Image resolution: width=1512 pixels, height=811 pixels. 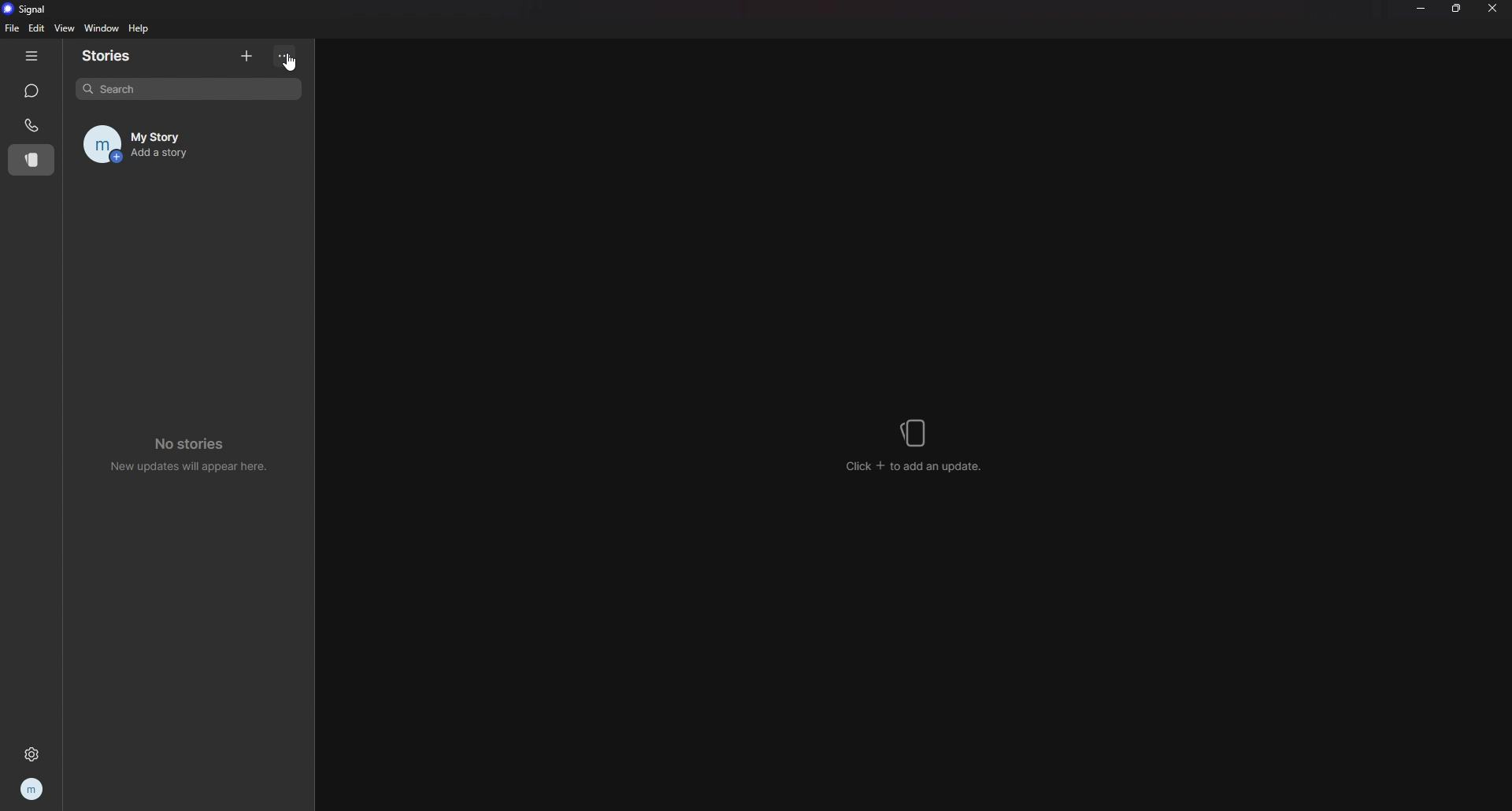 I want to click on resize, so click(x=1458, y=9).